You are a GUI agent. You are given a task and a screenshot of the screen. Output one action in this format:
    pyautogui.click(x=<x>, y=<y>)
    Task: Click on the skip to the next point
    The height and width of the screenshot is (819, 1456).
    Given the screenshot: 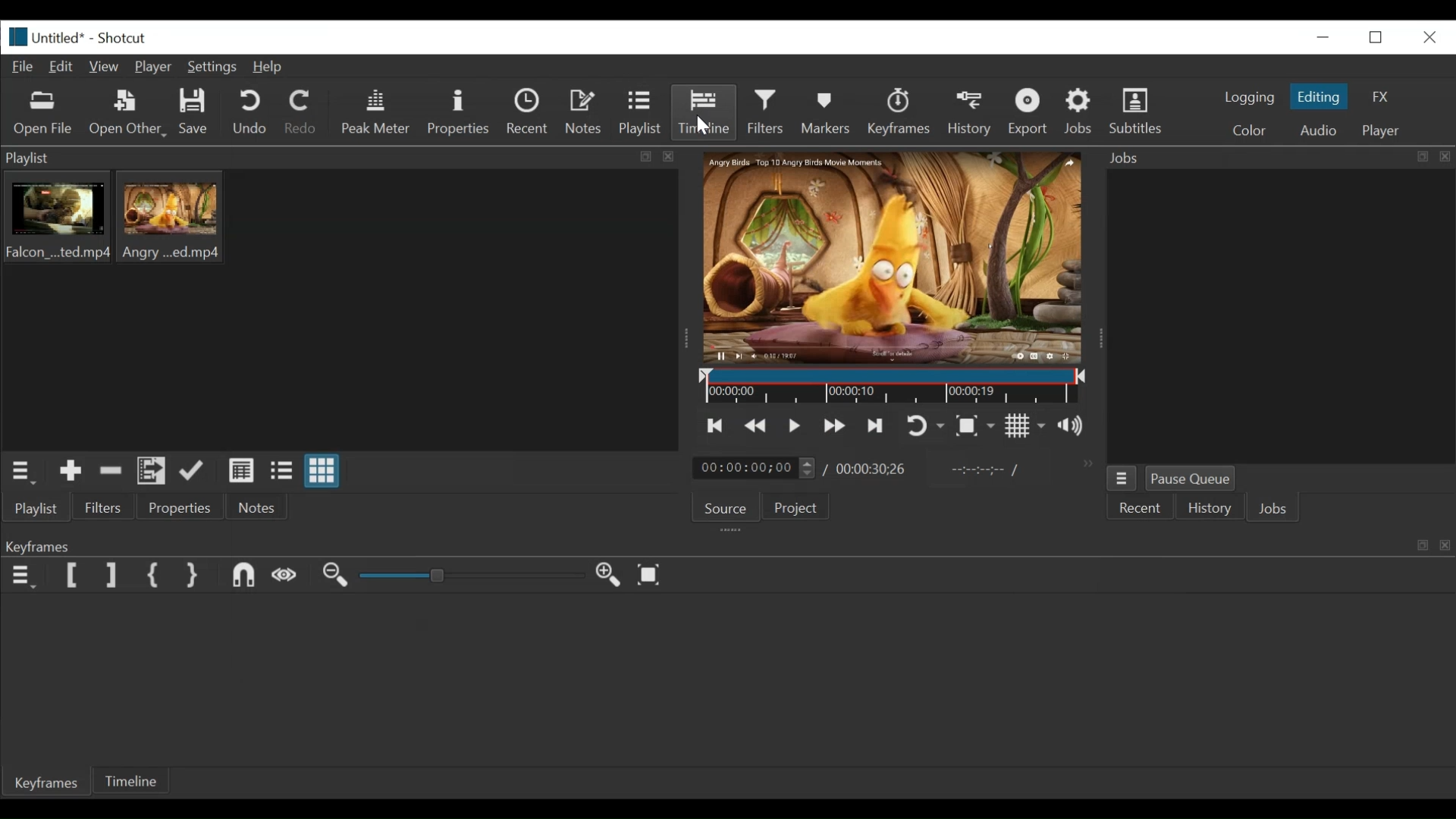 What is the action you would take?
    pyautogui.click(x=877, y=425)
    